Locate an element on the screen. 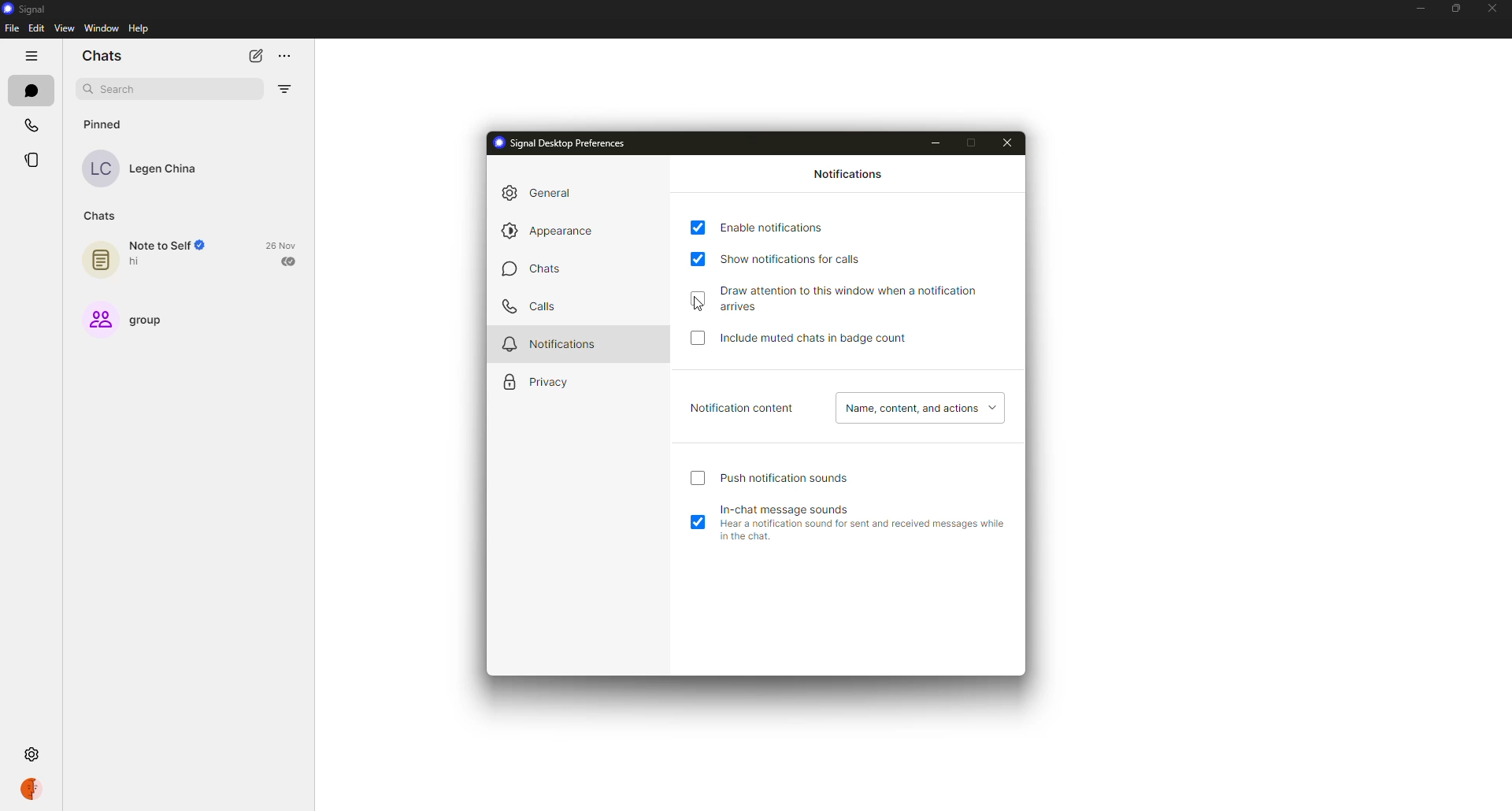 The image size is (1512, 811). edit is located at coordinates (36, 28).